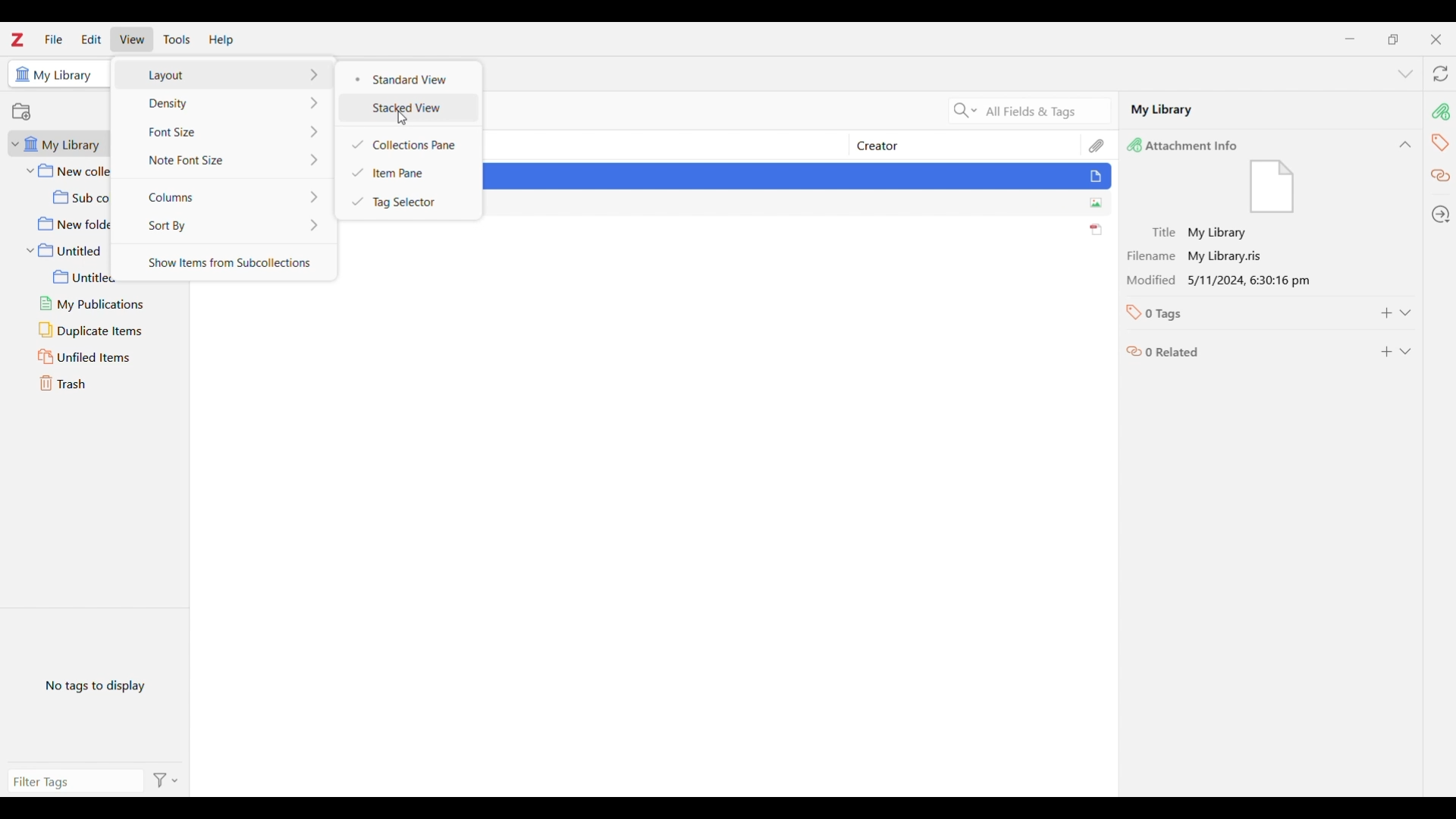 The image size is (1456, 819). I want to click on Locate, so click(1441, 215).